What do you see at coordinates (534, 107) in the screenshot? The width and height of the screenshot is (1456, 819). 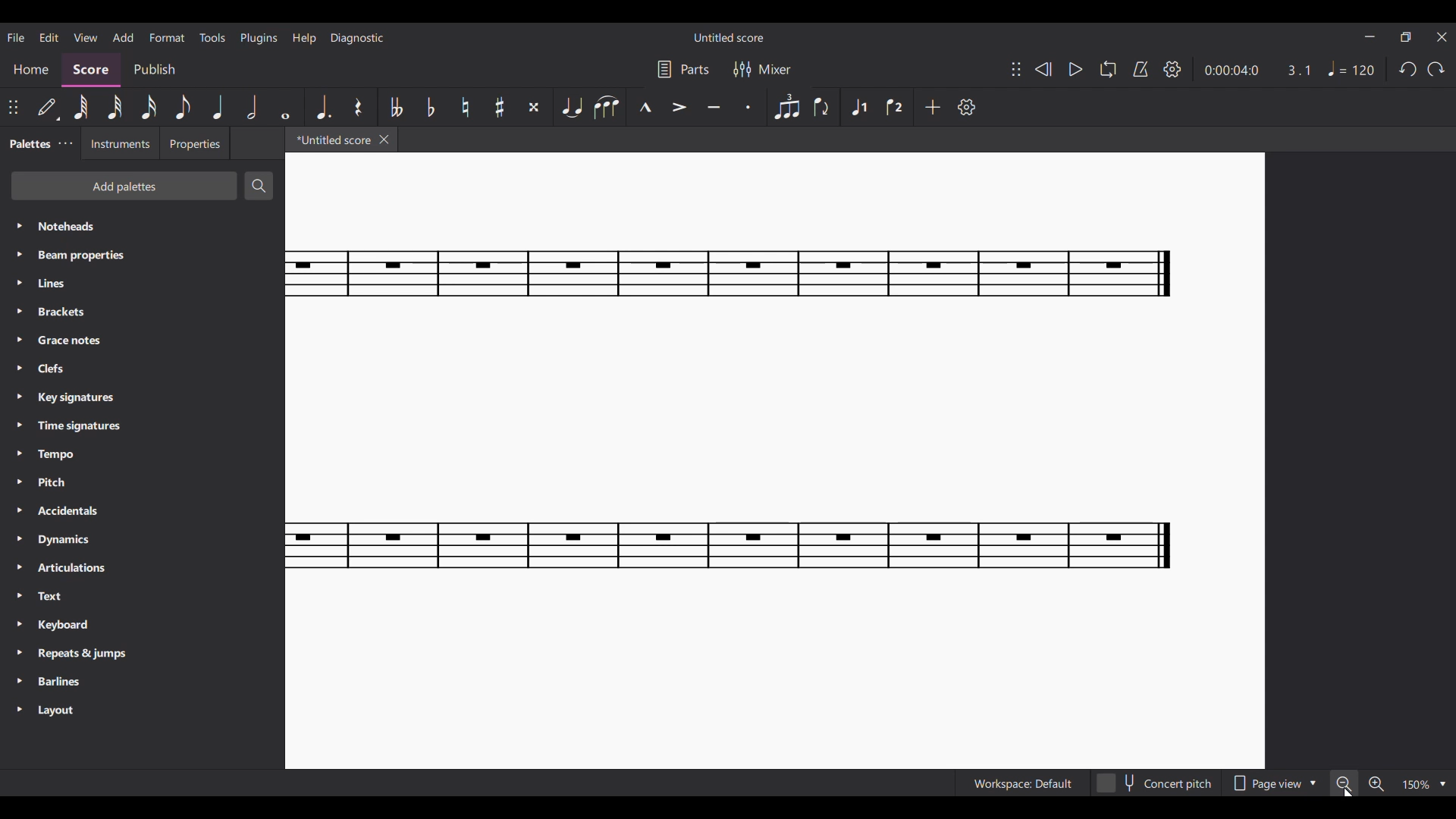 I see `Toggle double sharp` at bounding box center [534, 107].